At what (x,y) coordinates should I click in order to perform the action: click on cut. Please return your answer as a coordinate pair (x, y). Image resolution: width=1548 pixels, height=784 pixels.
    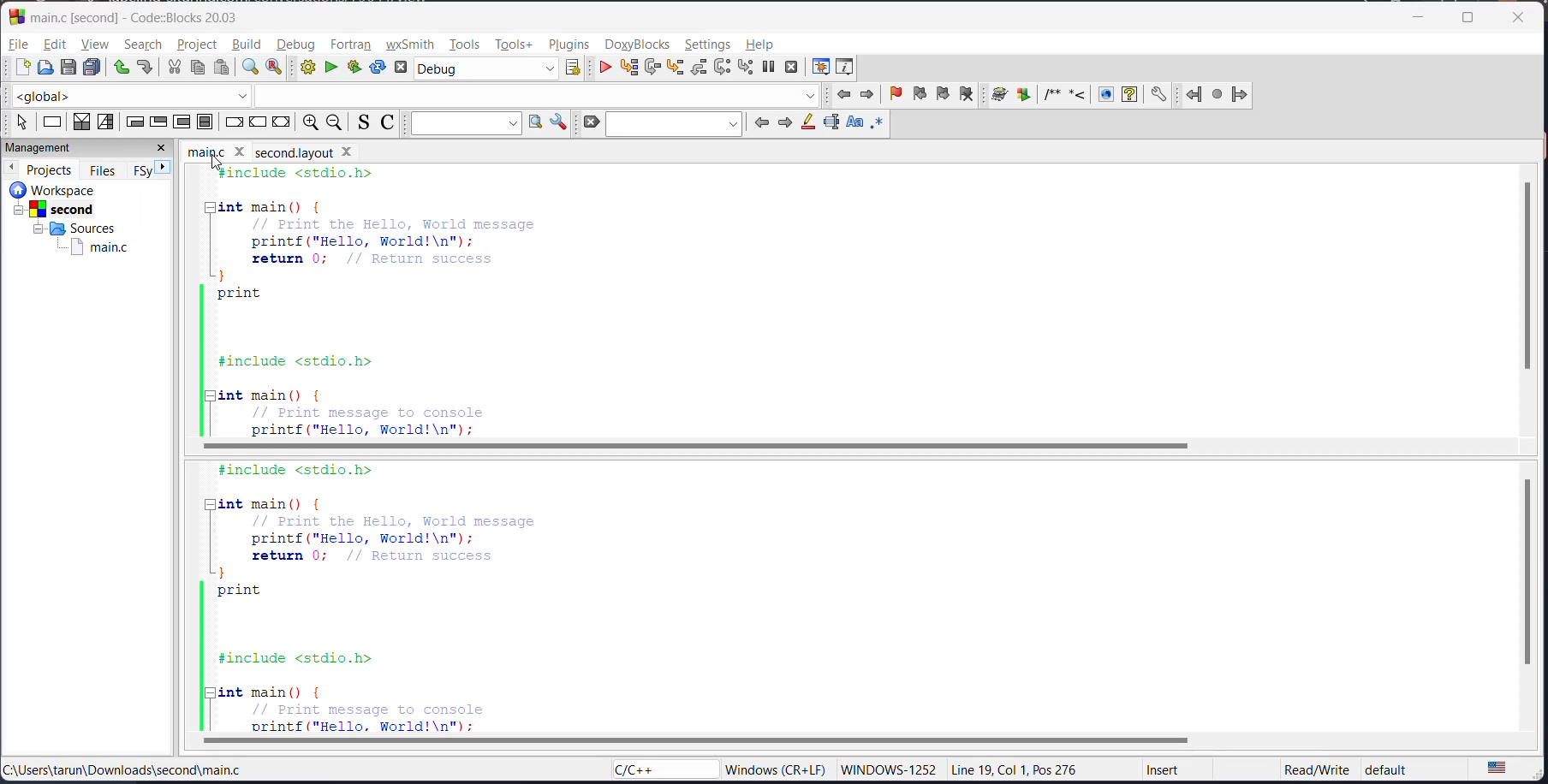
    Looking at the image, I should click on (173, 68).